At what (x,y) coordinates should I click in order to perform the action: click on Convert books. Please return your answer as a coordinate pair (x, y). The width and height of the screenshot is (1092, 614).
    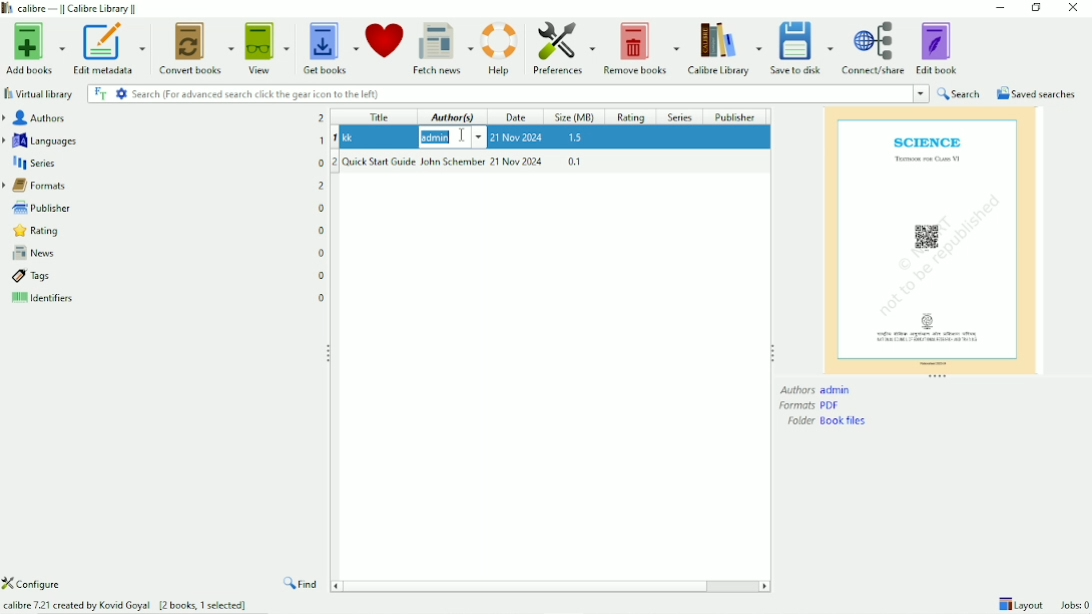
    Looking at the image, I should click on (196, 48).